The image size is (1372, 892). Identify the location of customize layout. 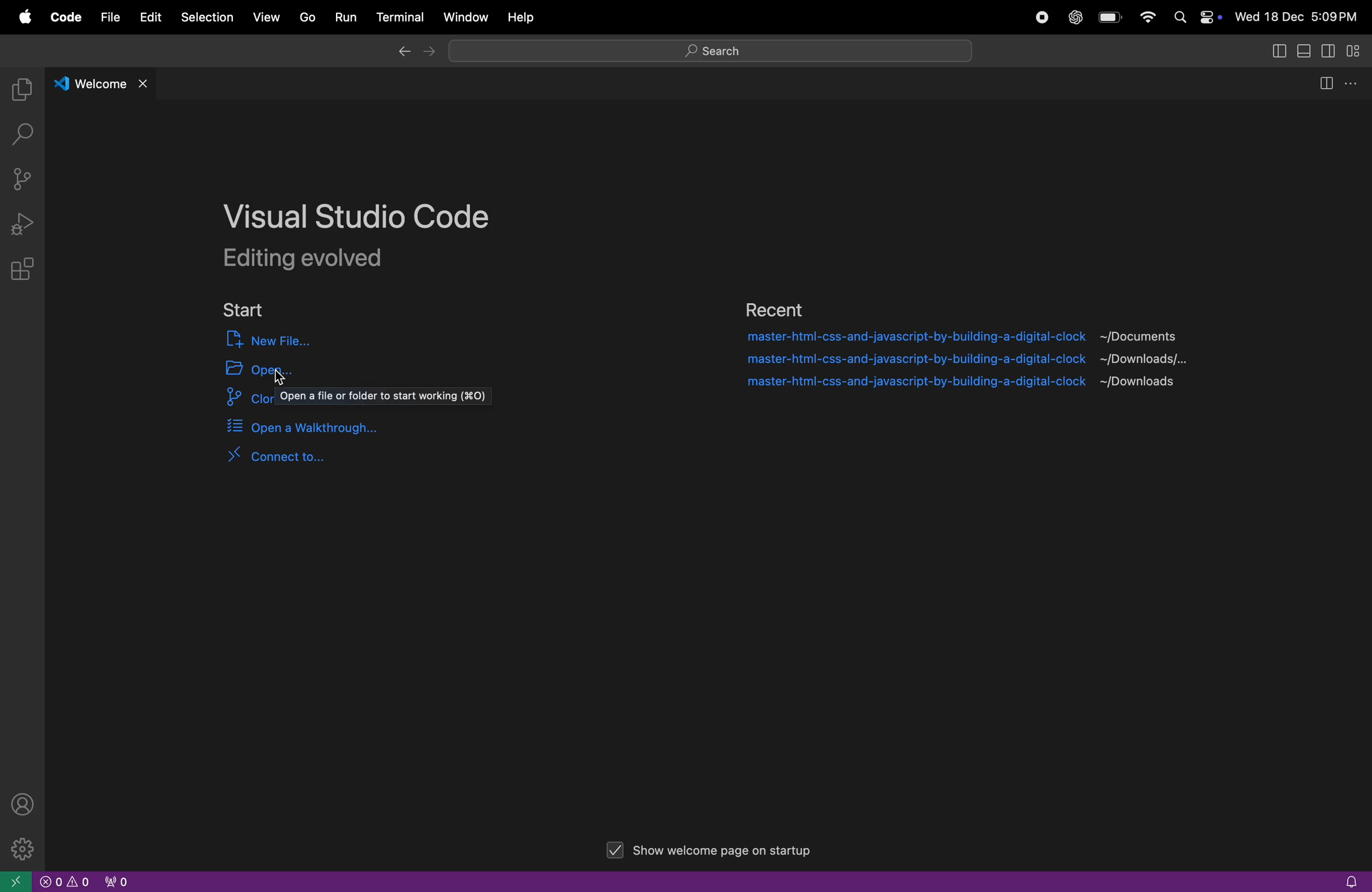
(1358, 52).